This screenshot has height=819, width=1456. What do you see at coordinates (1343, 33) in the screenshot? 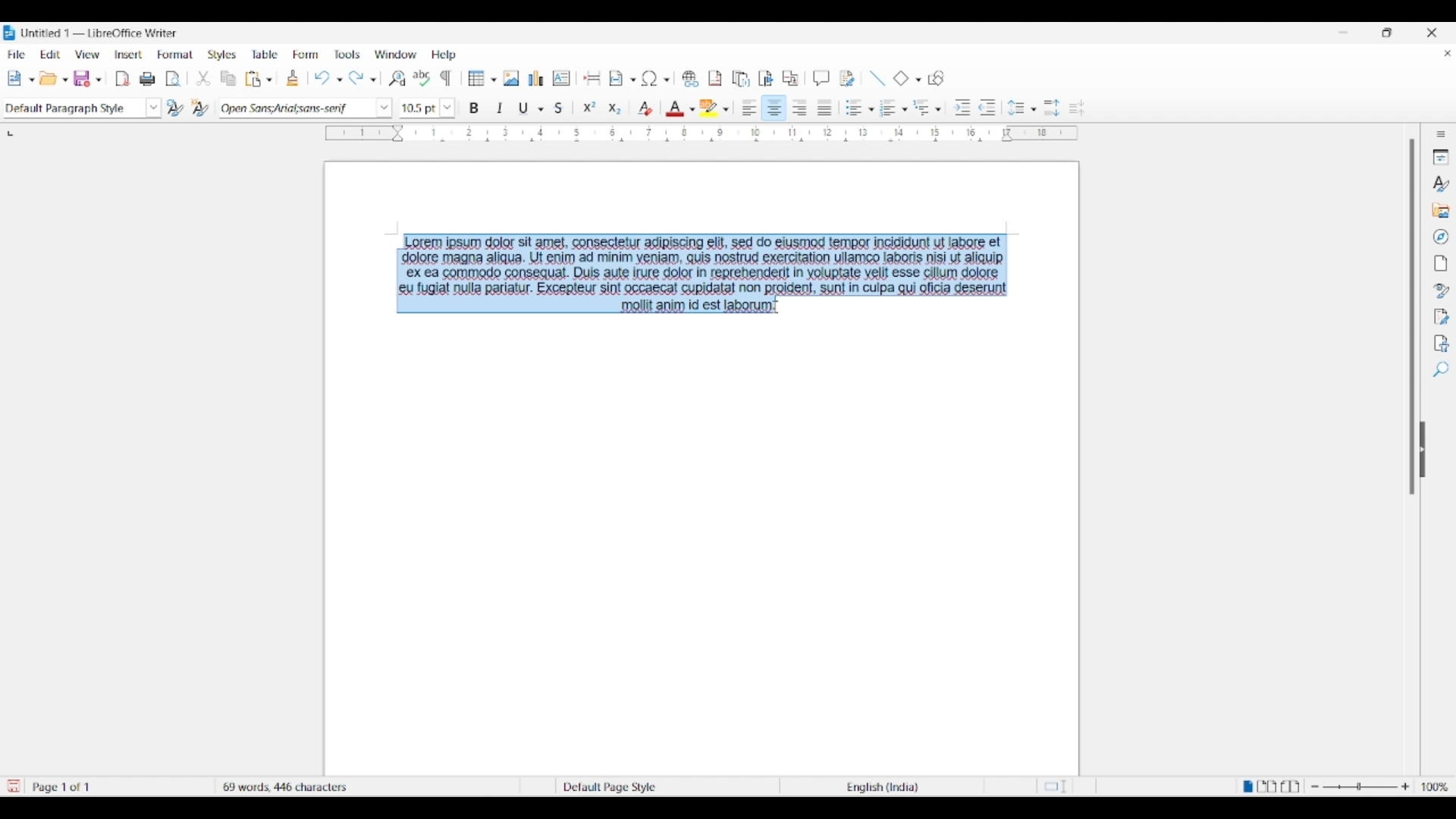
I see `Minimize` at bounding box center [1343, 33].